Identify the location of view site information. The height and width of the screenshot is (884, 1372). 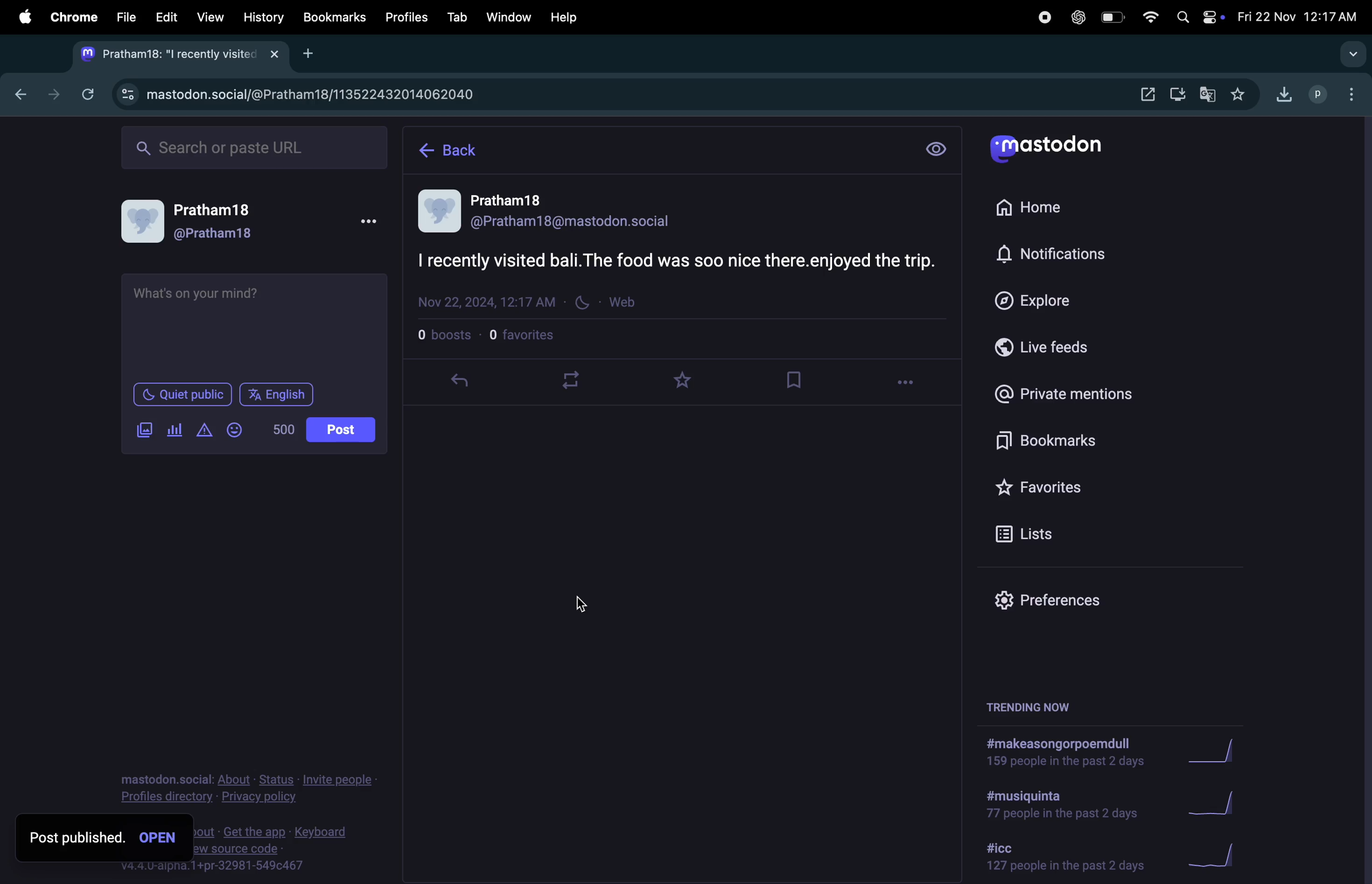
(131, 95).